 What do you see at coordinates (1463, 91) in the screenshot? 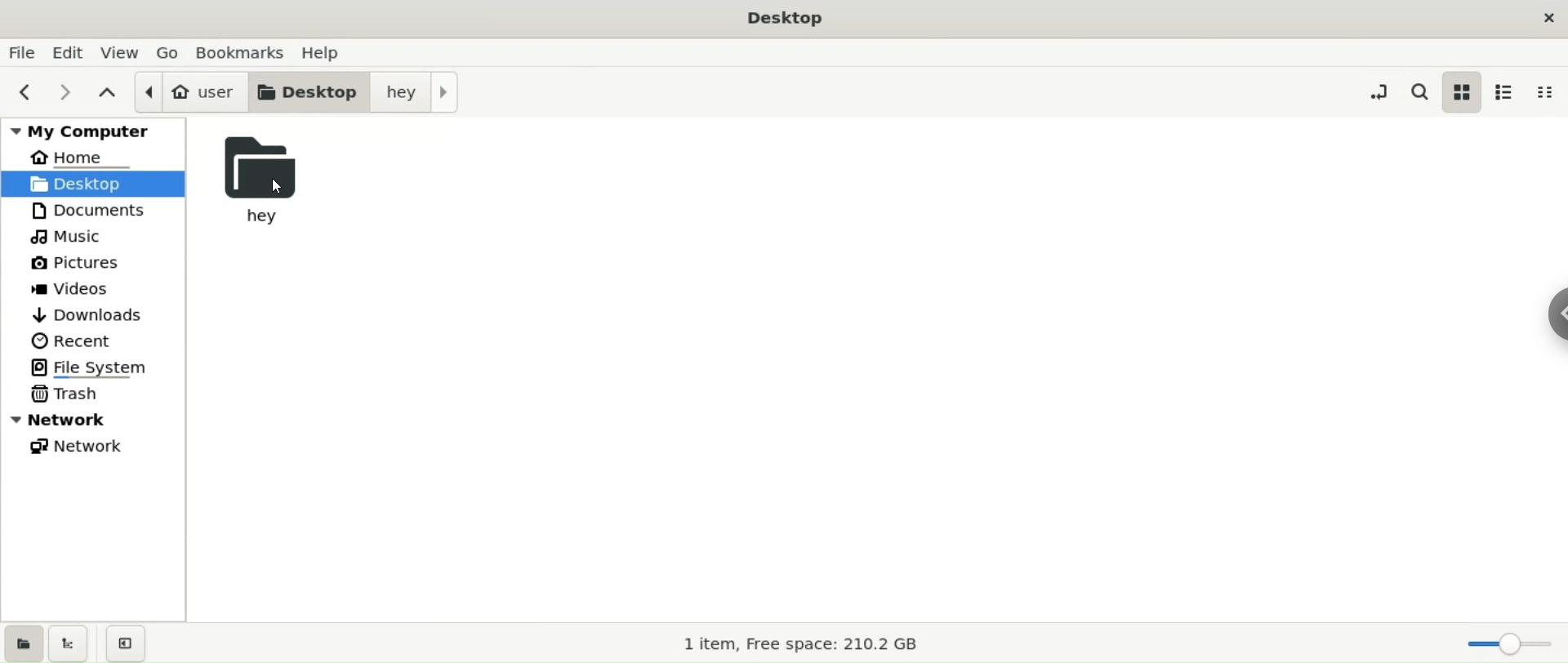
I see `icon view` at bounding box center [1463, 91].